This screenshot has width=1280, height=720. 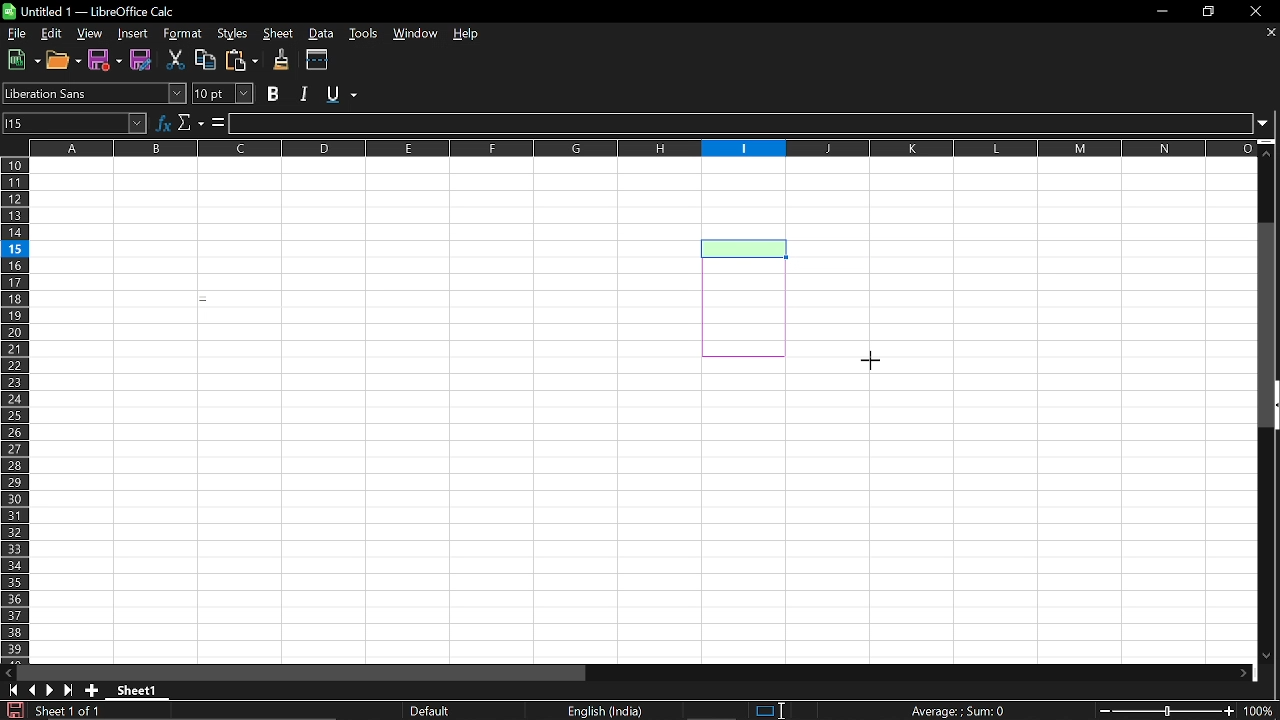 I want to click on Formula, so click(x=218, y=124).